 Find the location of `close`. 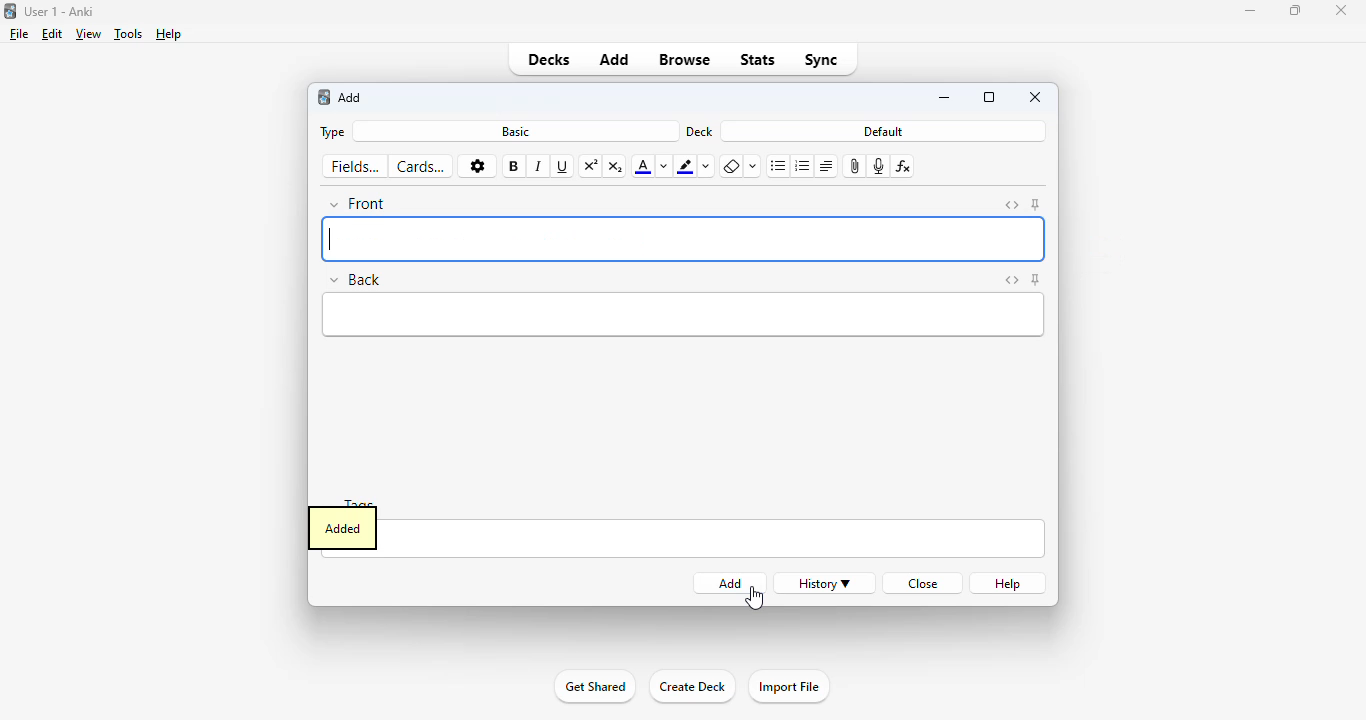

close is located at coordinates (924, 583).